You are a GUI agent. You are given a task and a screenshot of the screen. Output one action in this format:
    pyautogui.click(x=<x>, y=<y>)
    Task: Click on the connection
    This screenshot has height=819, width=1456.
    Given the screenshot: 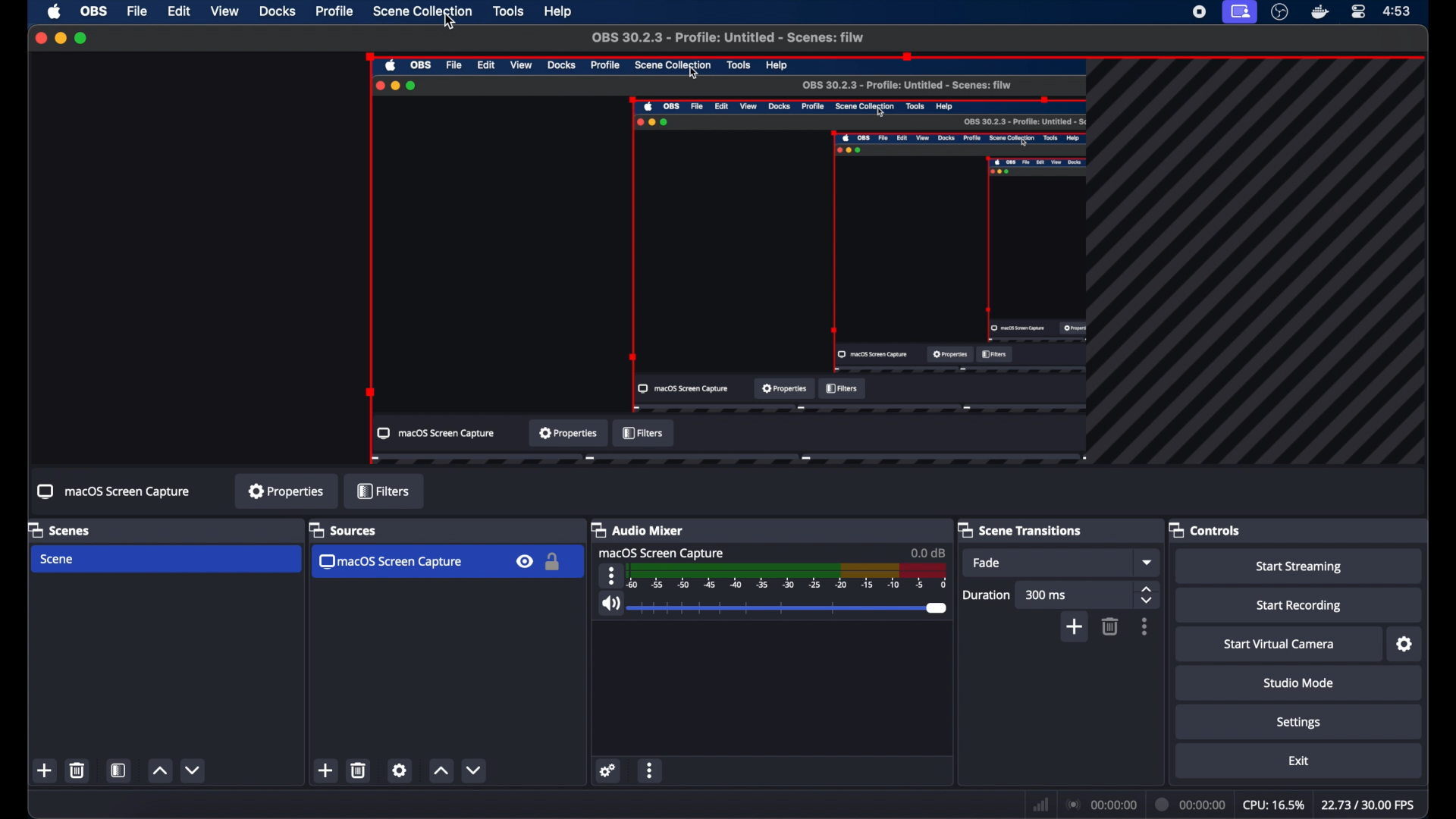 What is the action you would take?
    pyautogui.click(x=1103, y=802)
    